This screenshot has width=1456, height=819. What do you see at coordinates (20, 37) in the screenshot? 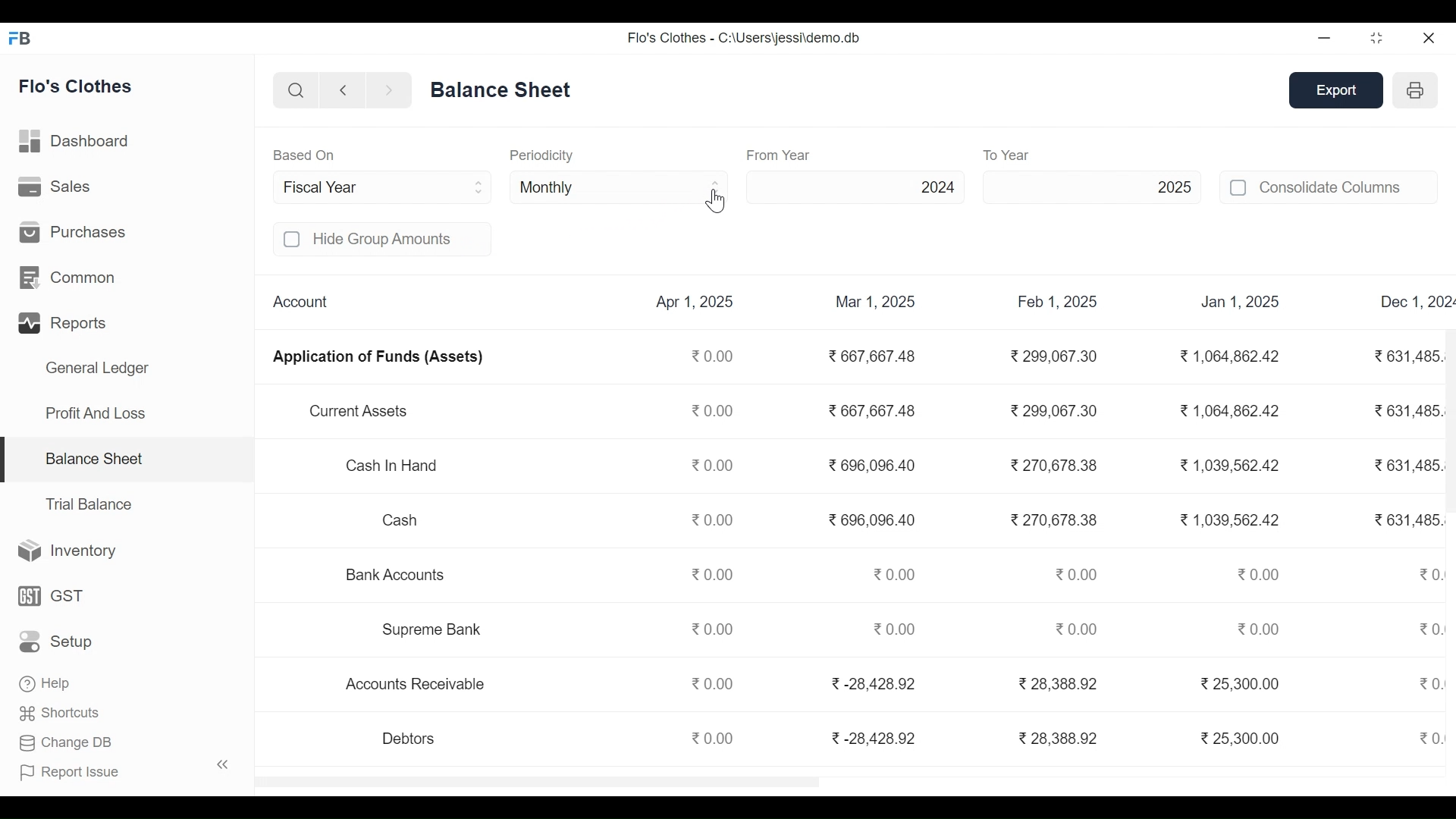
I see `FB logo` at bounding box center [20, 37].